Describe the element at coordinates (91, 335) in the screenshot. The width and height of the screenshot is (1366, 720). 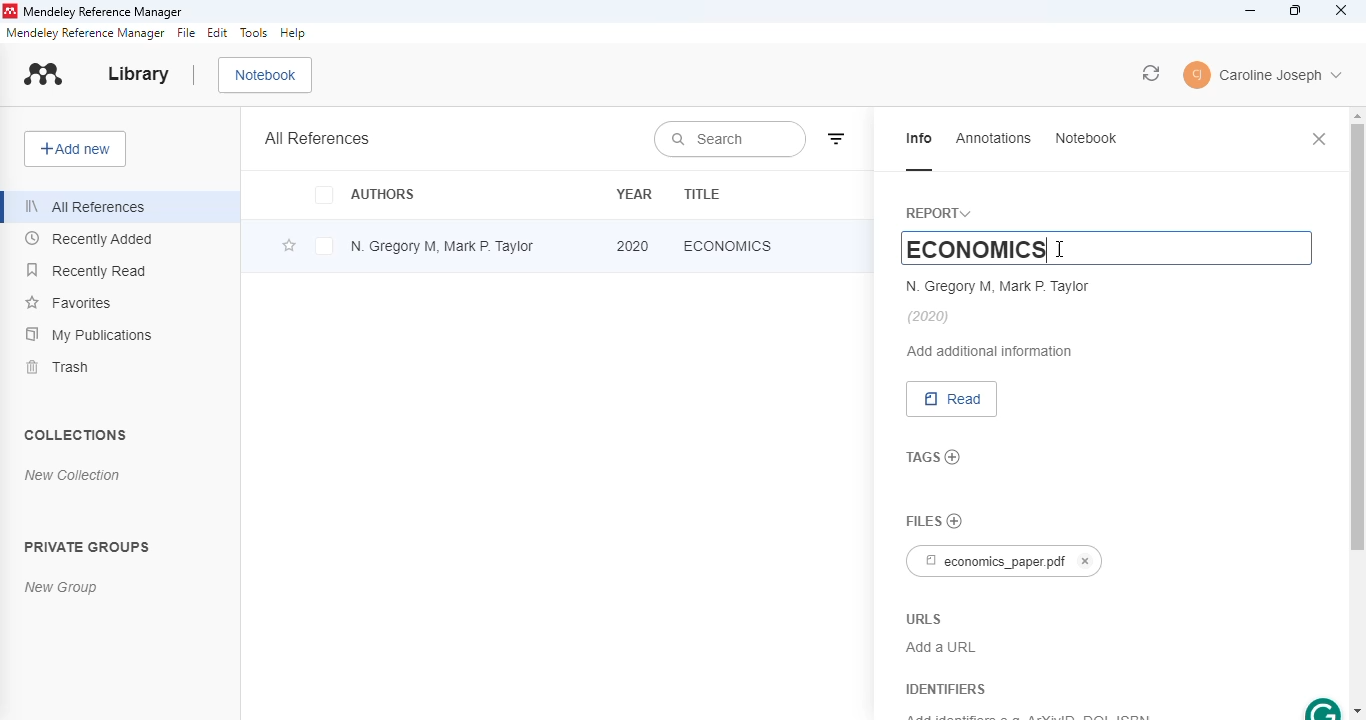
I see `my publications` at that location.